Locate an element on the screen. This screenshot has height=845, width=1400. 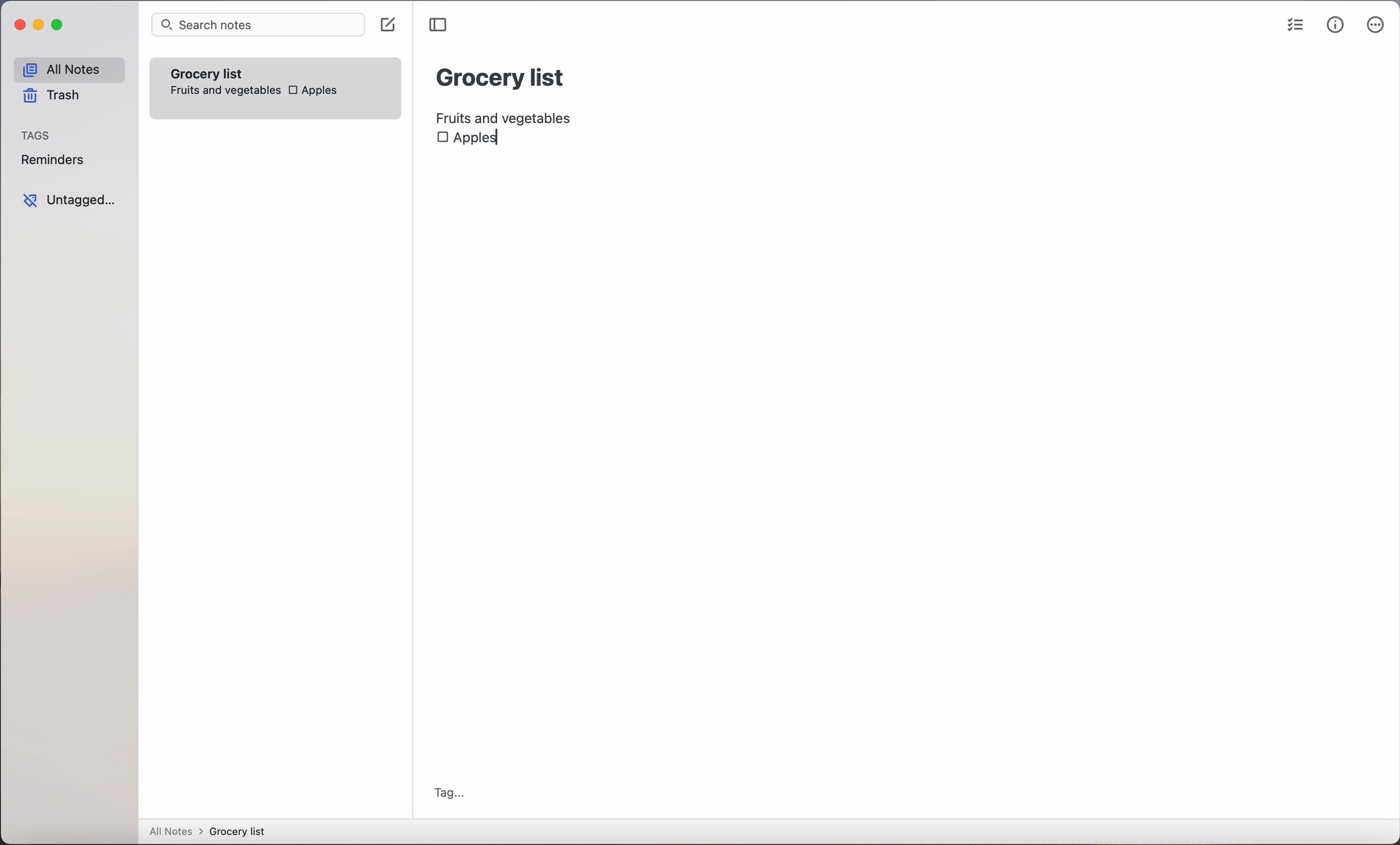
apples is located at coordinates (324, 89).